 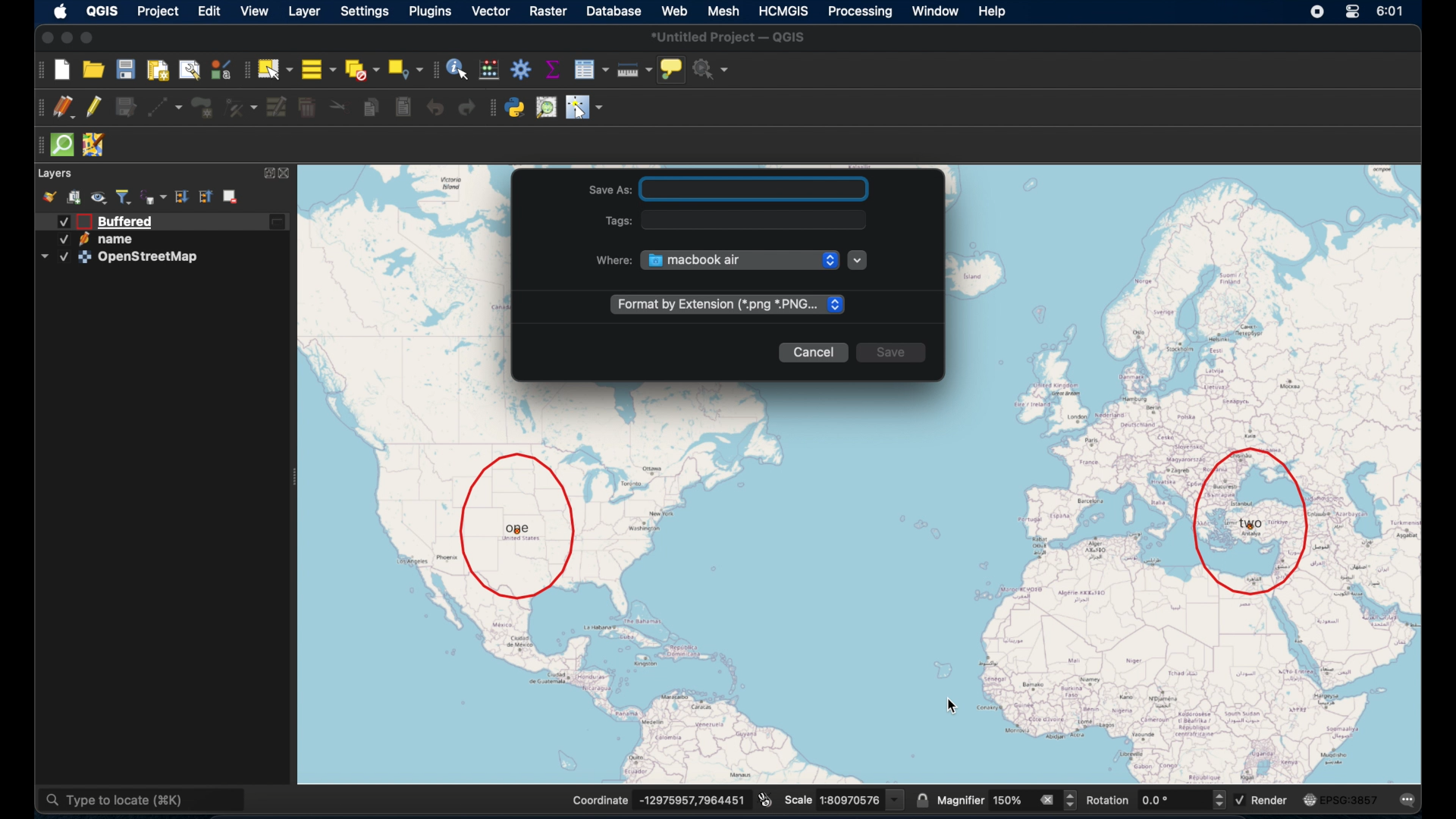 I want to click on mesh, so click(x=725, y=10).